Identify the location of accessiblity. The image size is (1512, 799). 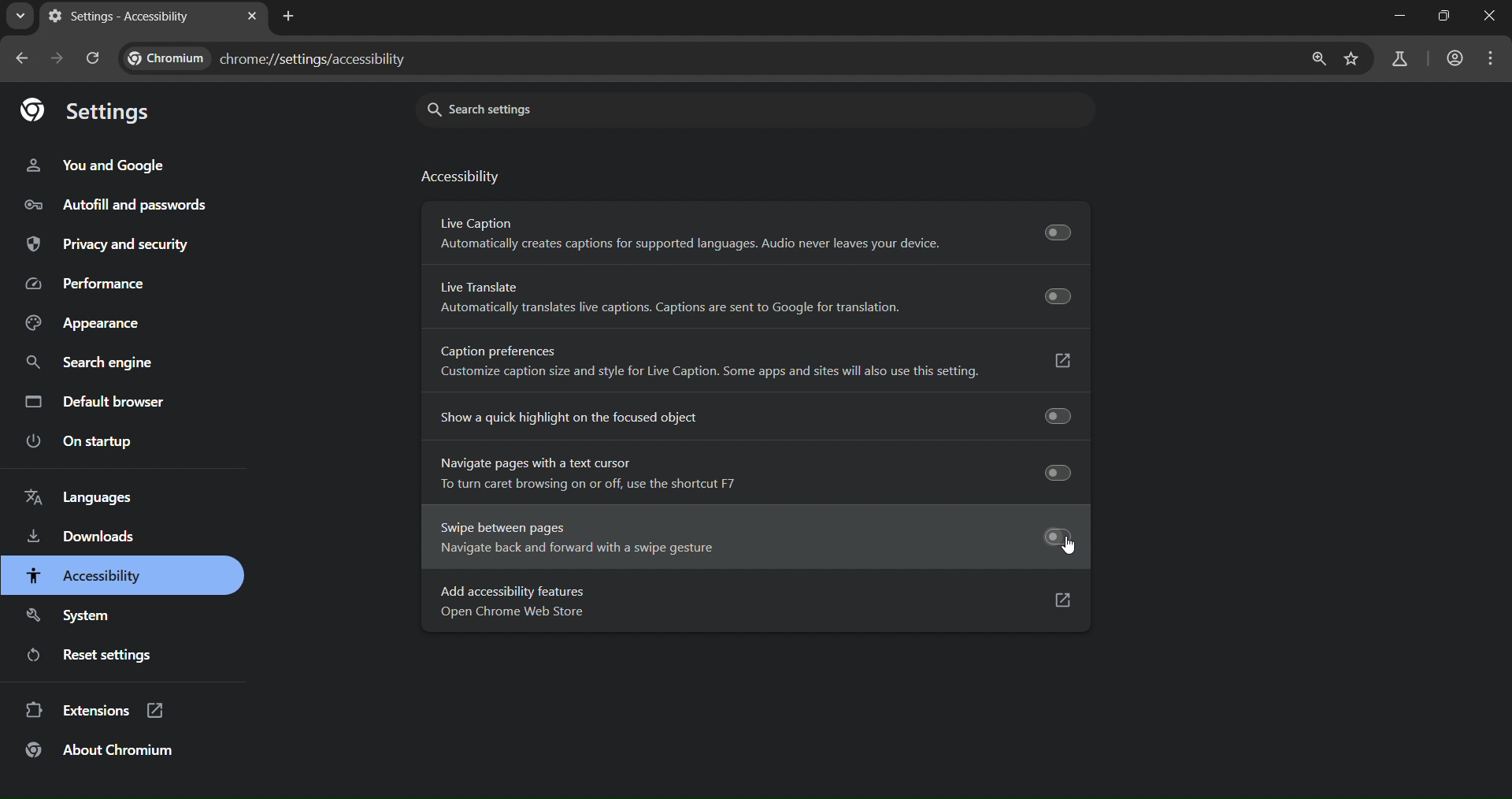
(84, 576).